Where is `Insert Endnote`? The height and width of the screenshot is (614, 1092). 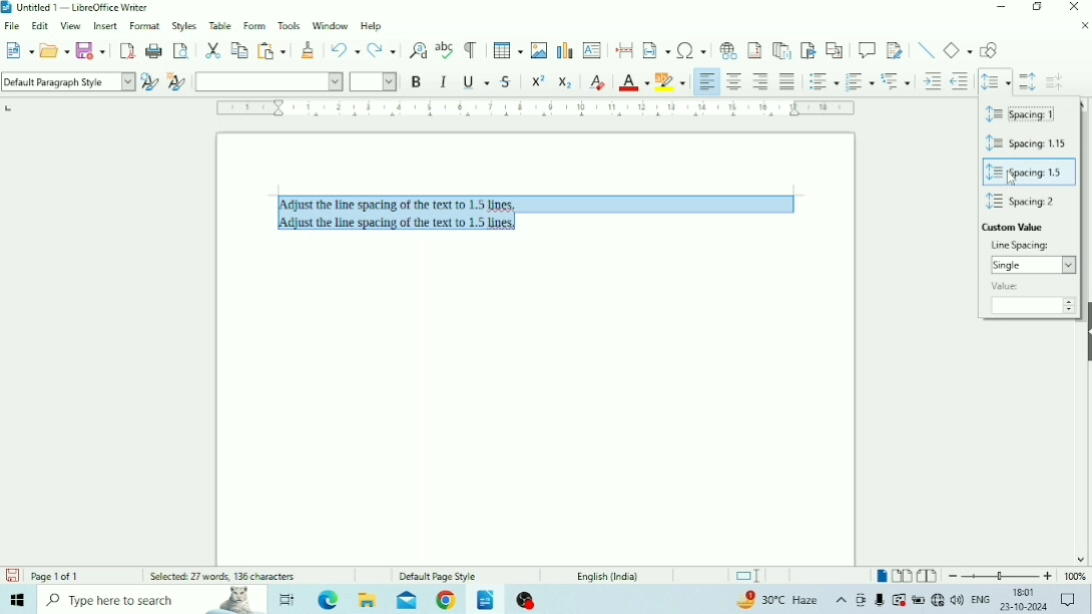 Insert Endnote is located at coordinates (781, 49).